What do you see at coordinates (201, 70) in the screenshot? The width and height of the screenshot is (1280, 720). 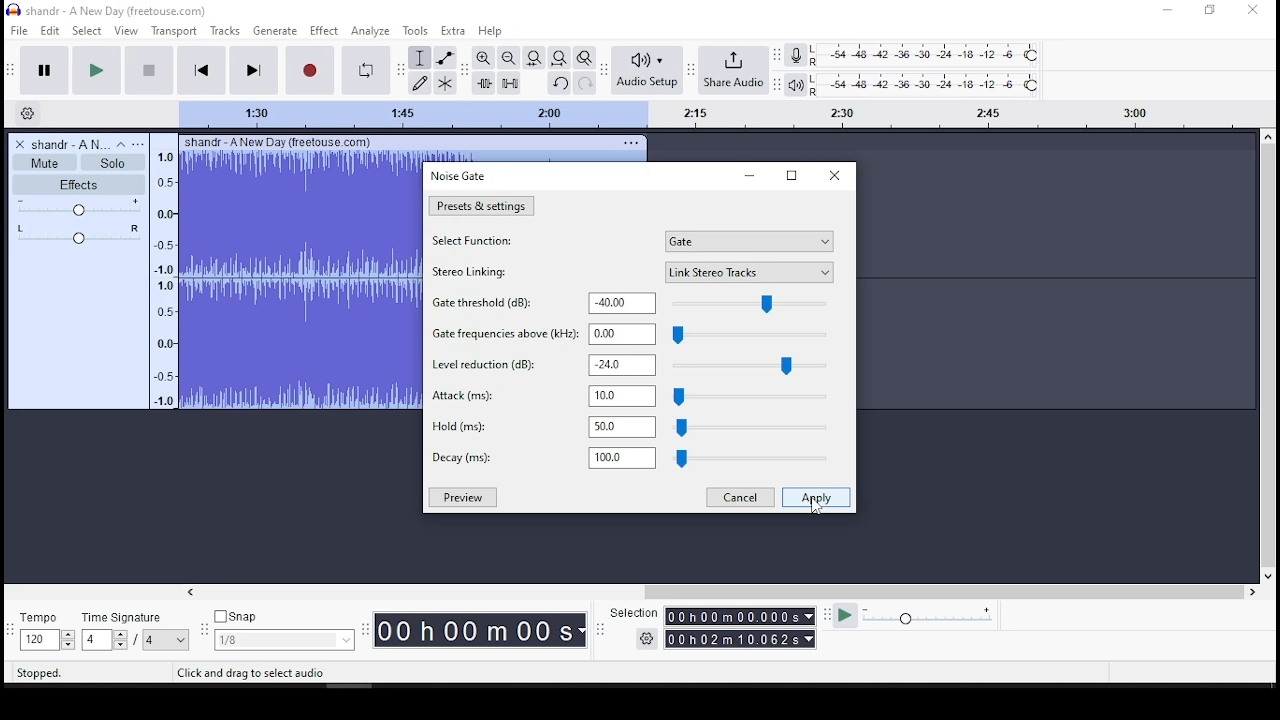 I see `skip to start` at bounding box center [201, 70].